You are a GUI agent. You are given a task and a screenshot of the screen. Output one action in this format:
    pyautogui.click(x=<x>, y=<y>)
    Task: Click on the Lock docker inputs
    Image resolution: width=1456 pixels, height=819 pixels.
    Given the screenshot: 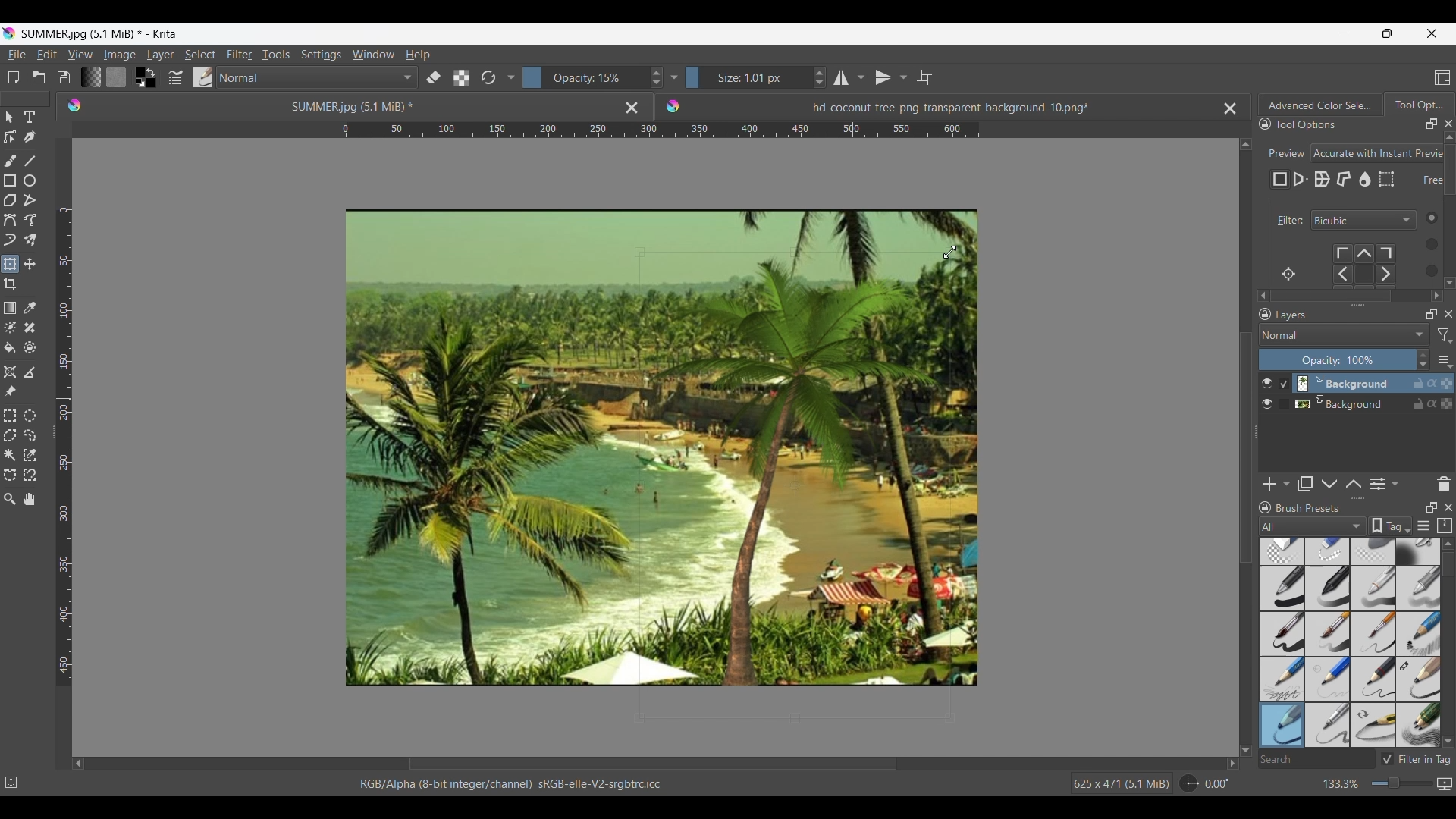 What is the action you would take?
    pyautogui.click(x=1265, y=124)
    